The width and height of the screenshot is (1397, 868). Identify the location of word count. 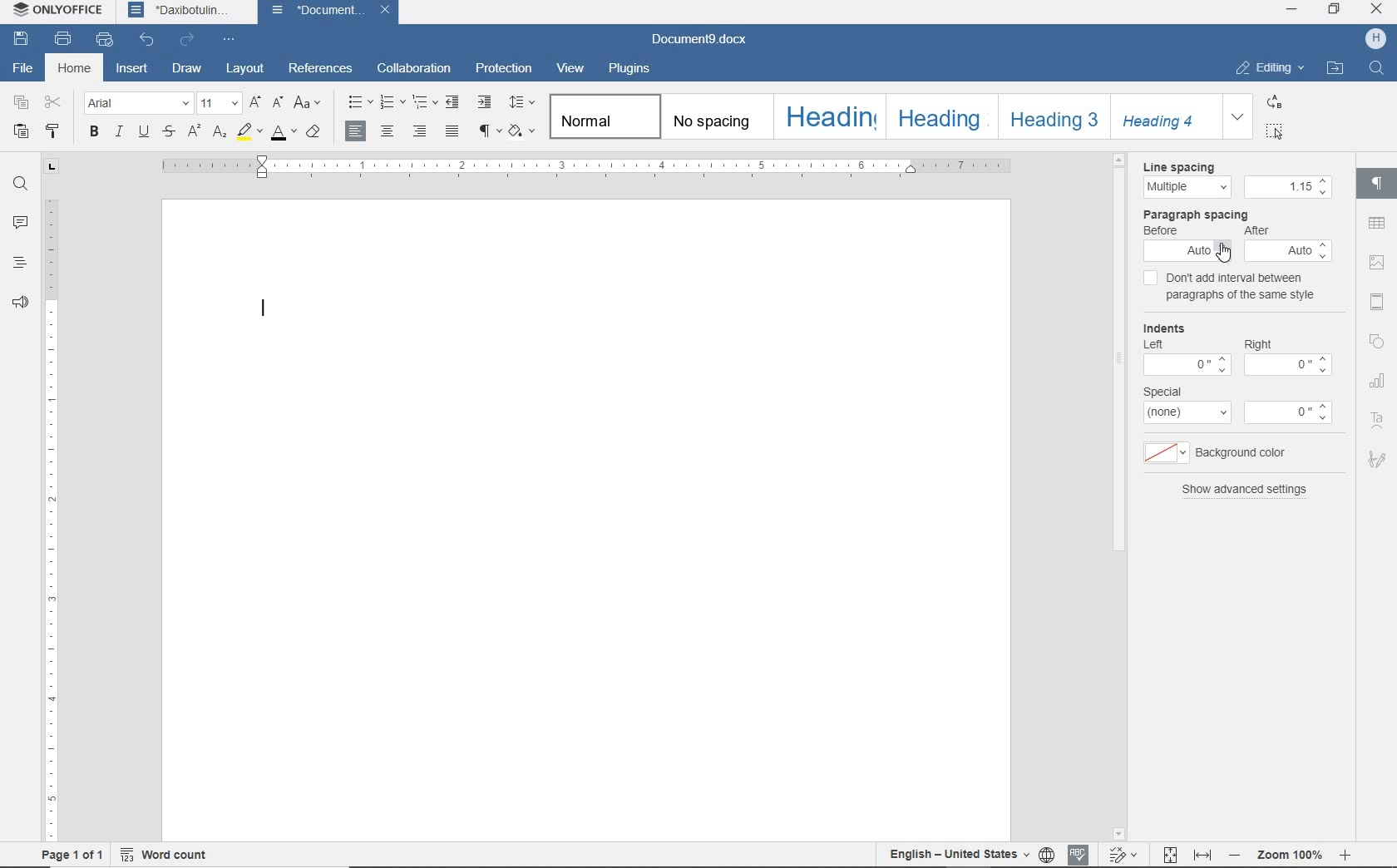
(163, 854).